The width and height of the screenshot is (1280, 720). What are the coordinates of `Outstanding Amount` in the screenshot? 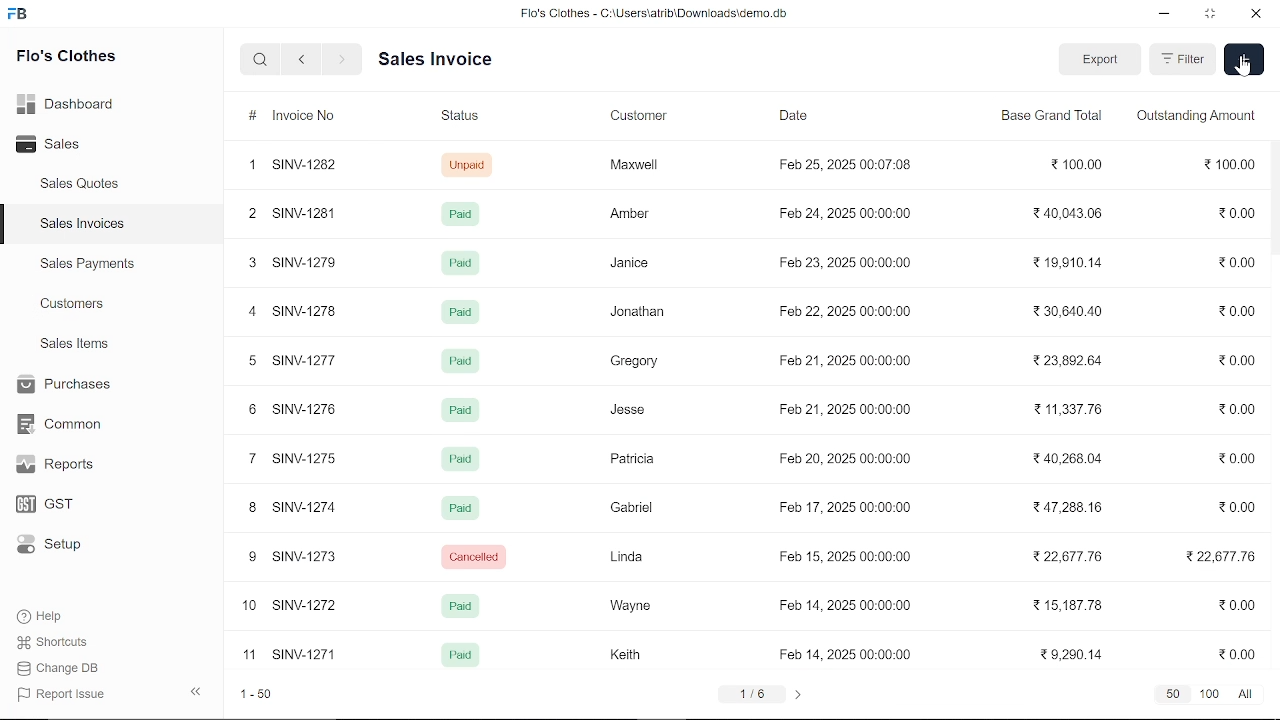 It's located at (1198, 120).